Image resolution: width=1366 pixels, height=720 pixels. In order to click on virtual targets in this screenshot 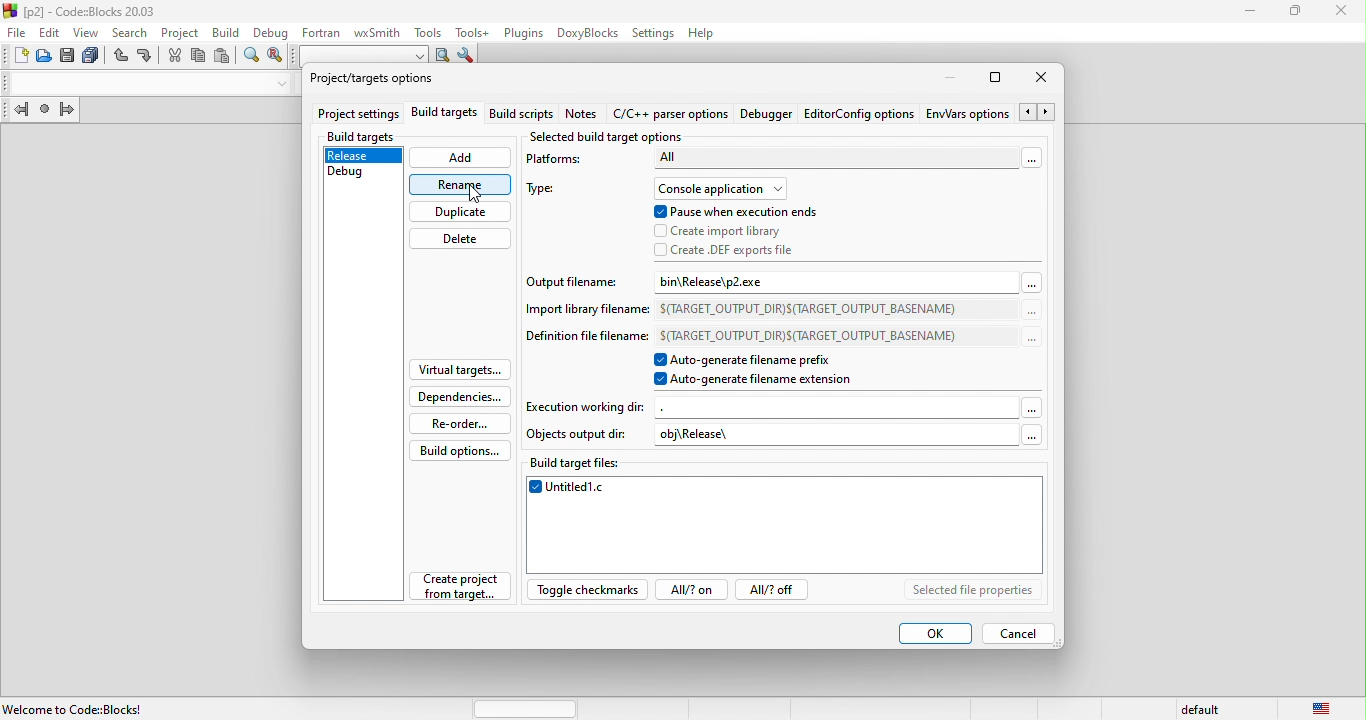, I will do `click(458, 370)`.